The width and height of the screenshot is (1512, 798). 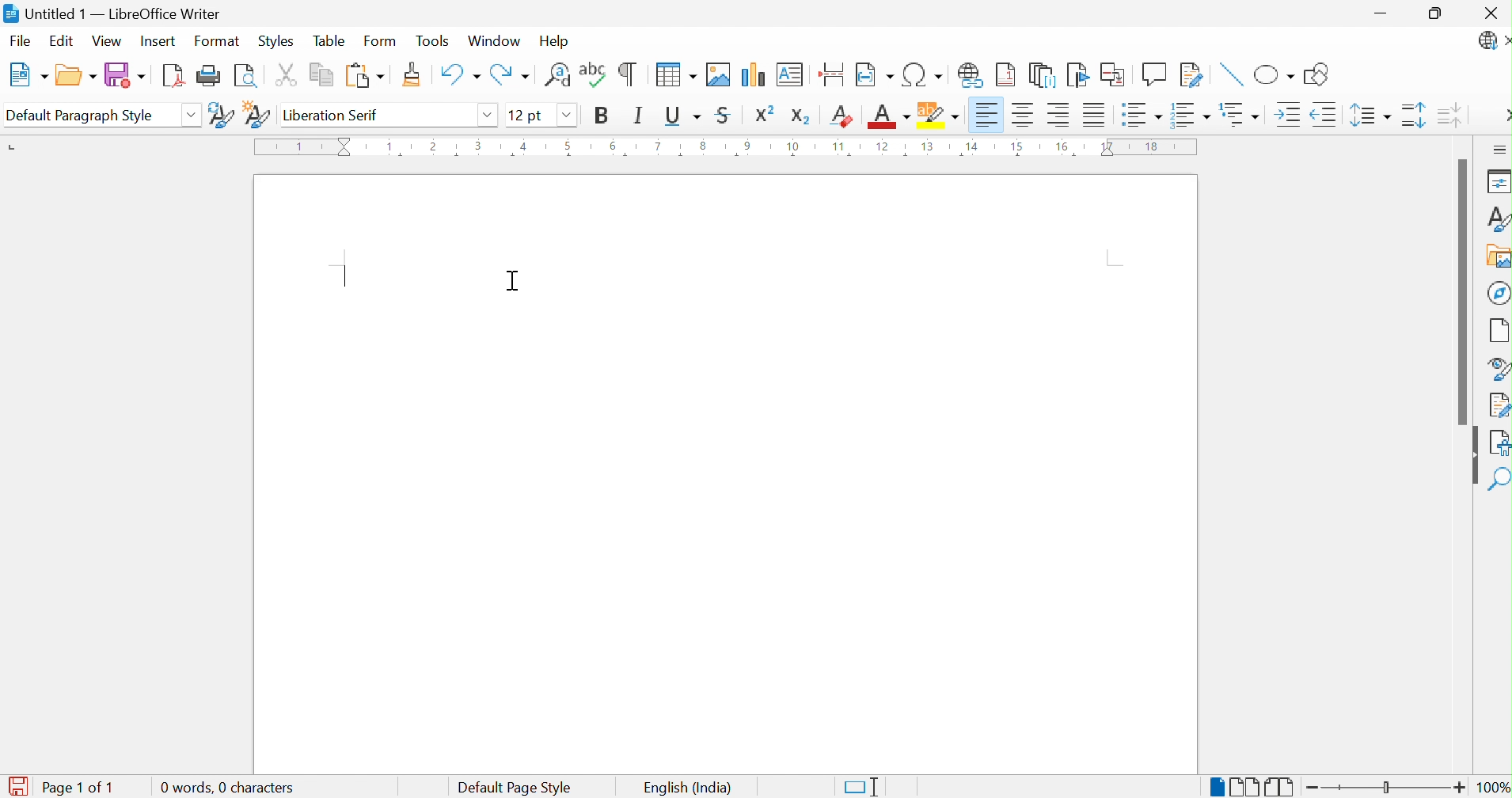 I want to click on Insert Special Characters, so click(x=922, y=74).